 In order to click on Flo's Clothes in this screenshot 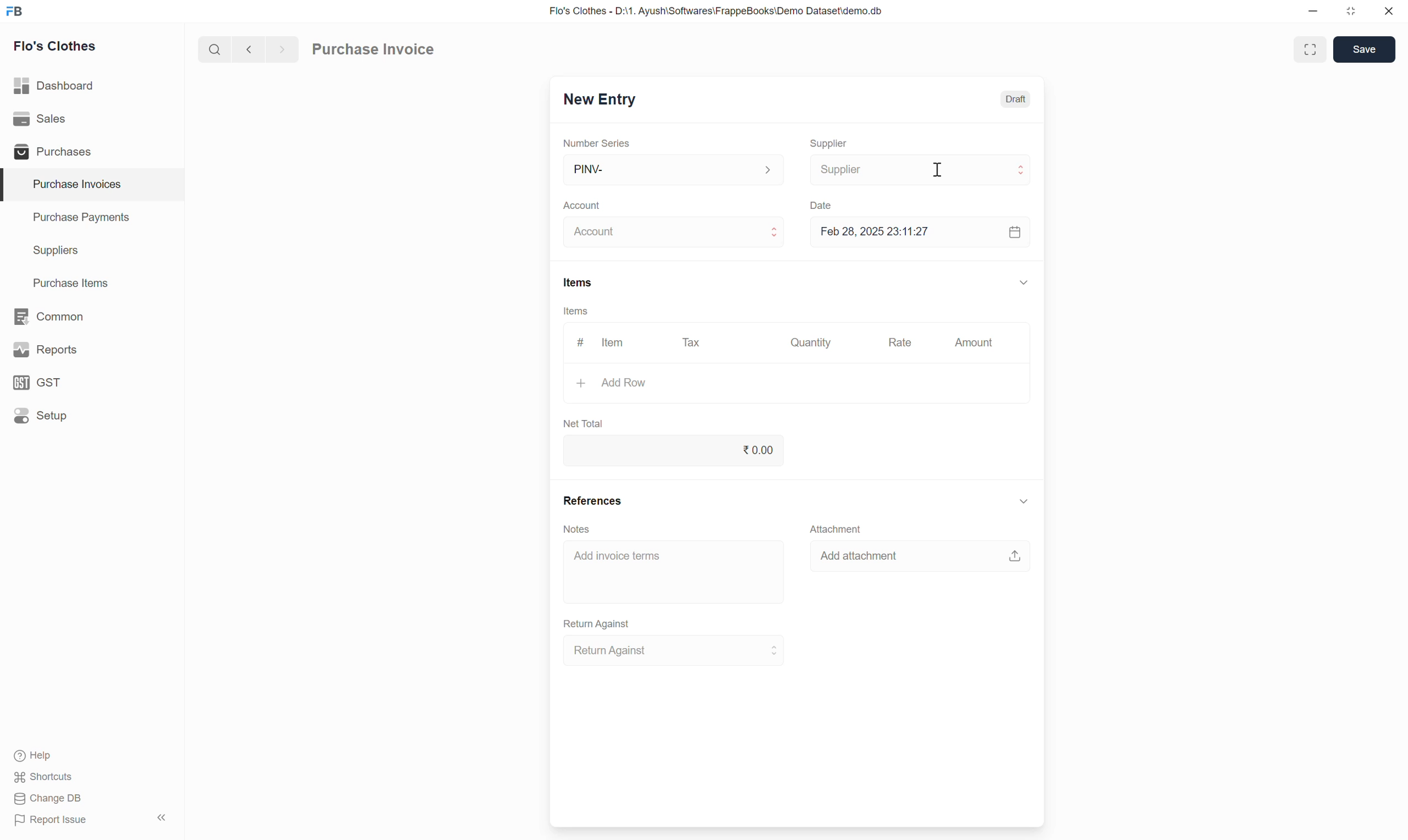, I will do `click(55, 46)`.